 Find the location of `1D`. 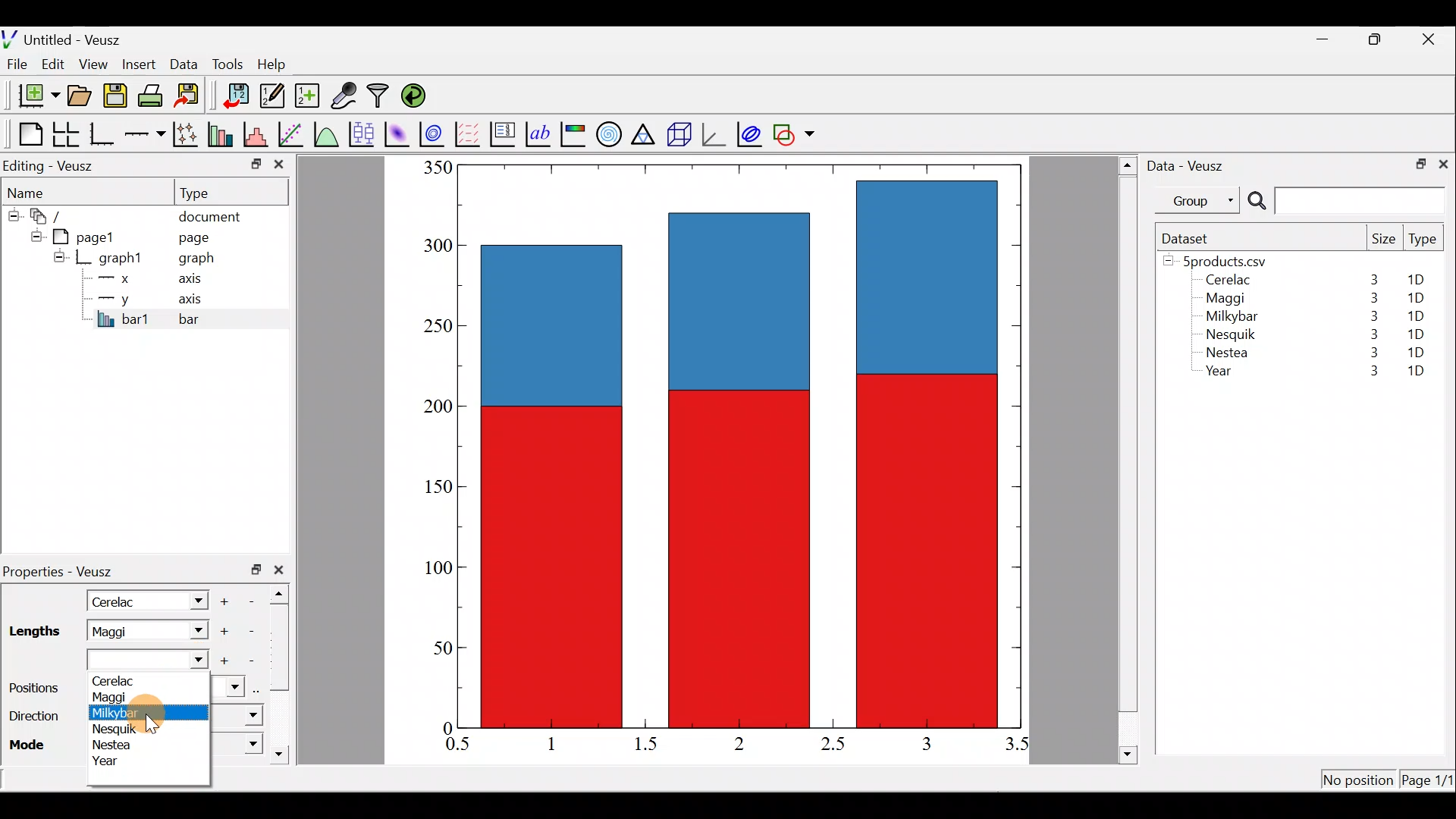

1D is located at coordinates (1421, 280).